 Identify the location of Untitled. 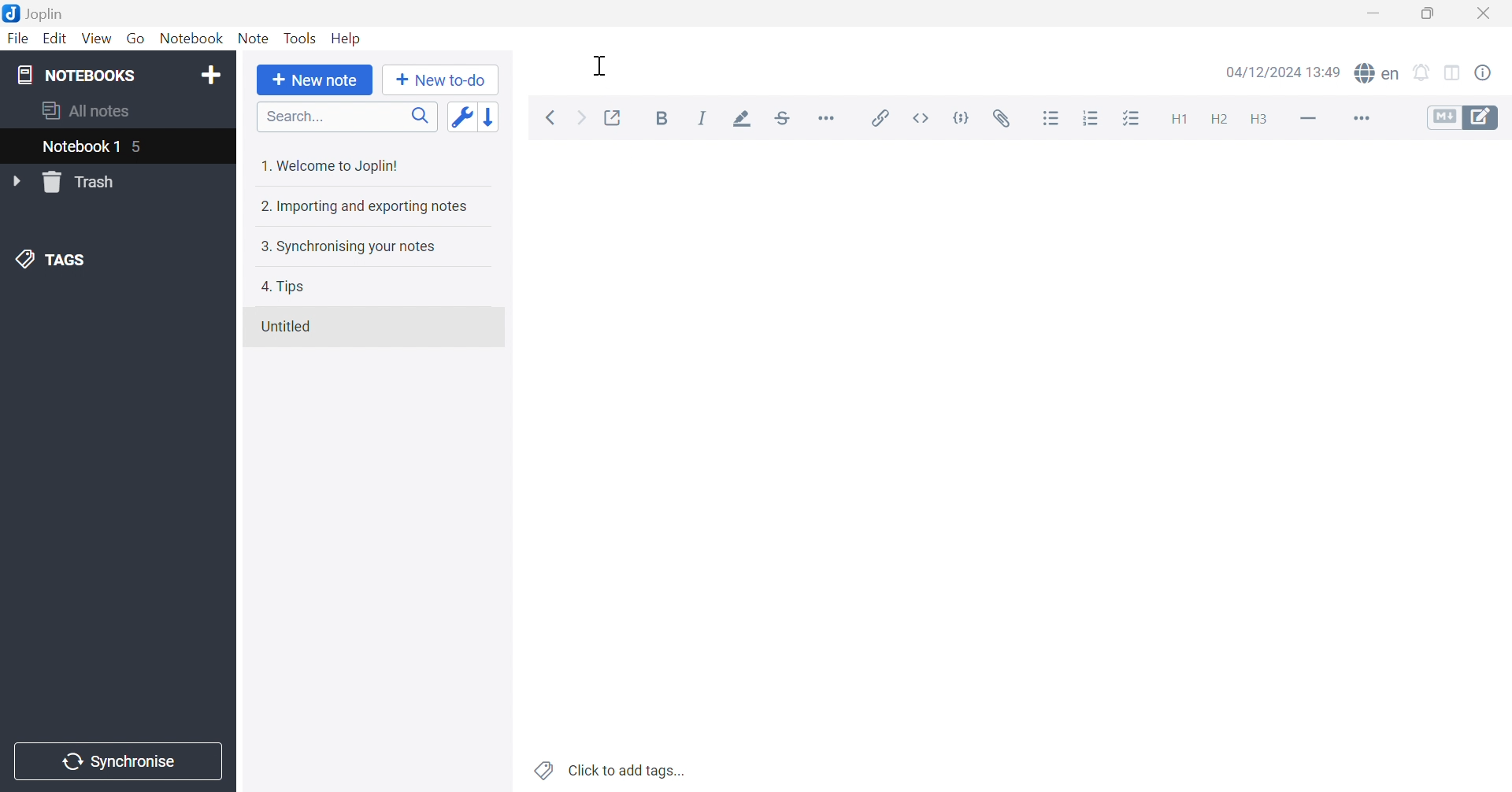
(289, 327).